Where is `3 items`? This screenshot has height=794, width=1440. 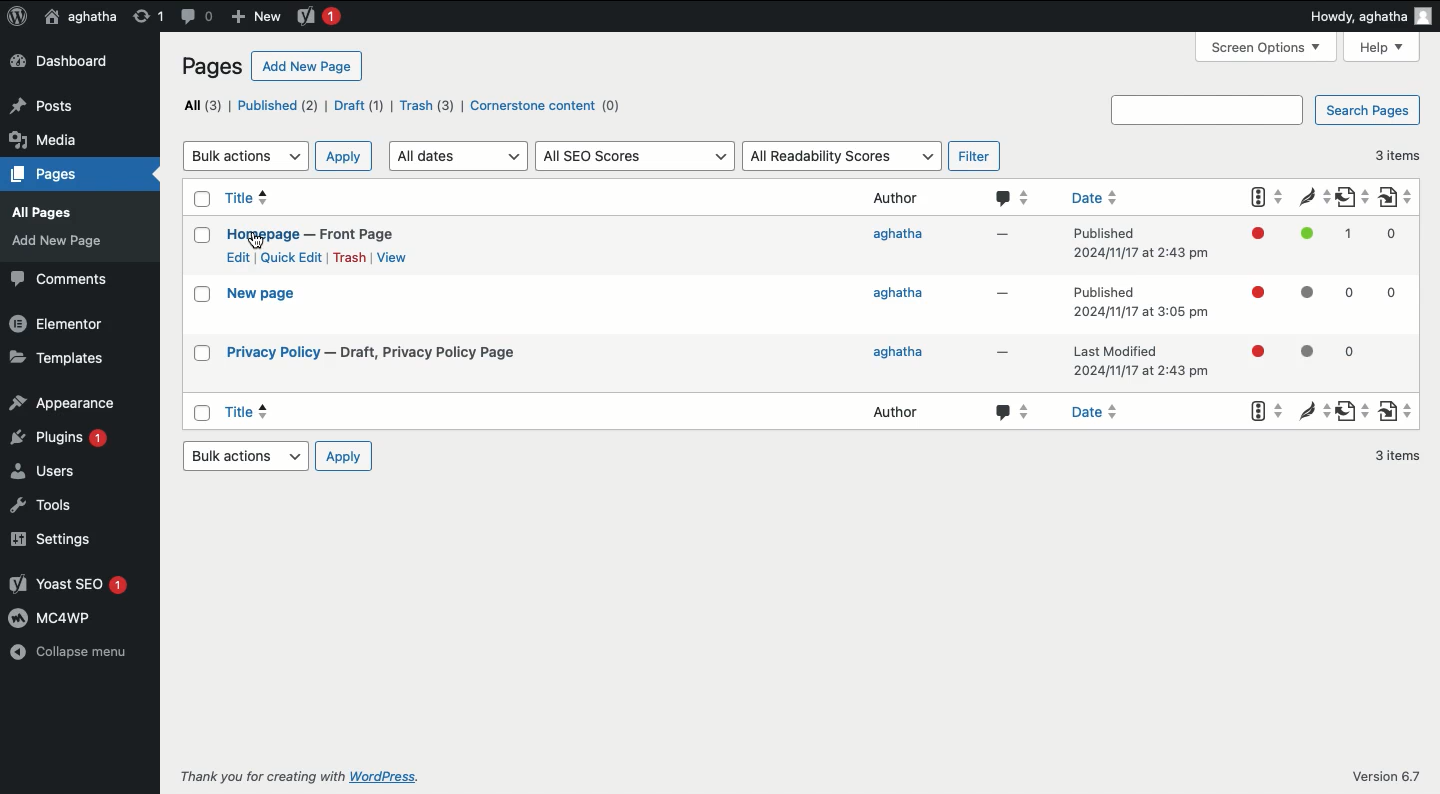 3 items is located at coordinates (1388, 458).